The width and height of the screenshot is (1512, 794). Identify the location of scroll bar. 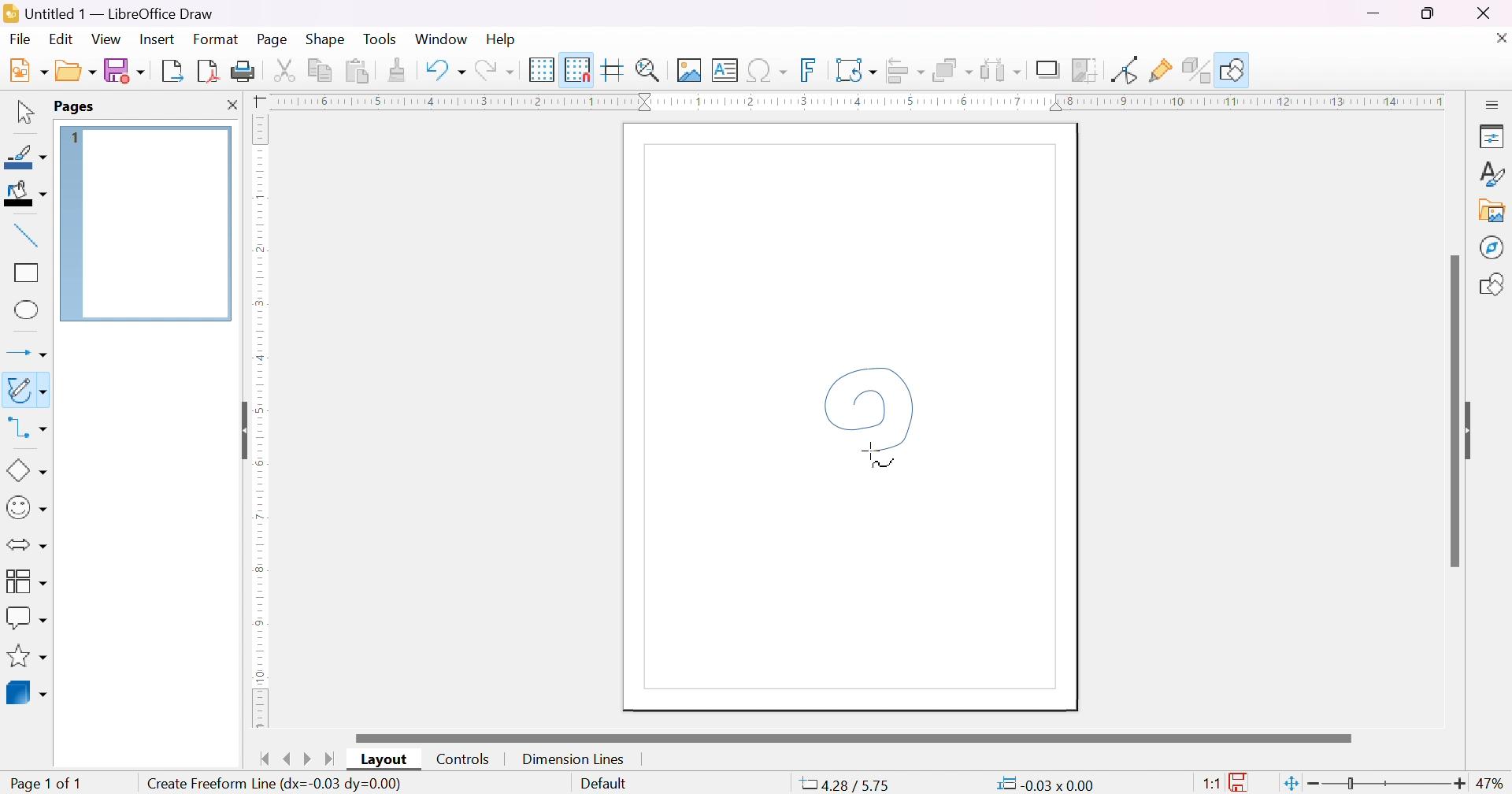
(1453, 408).